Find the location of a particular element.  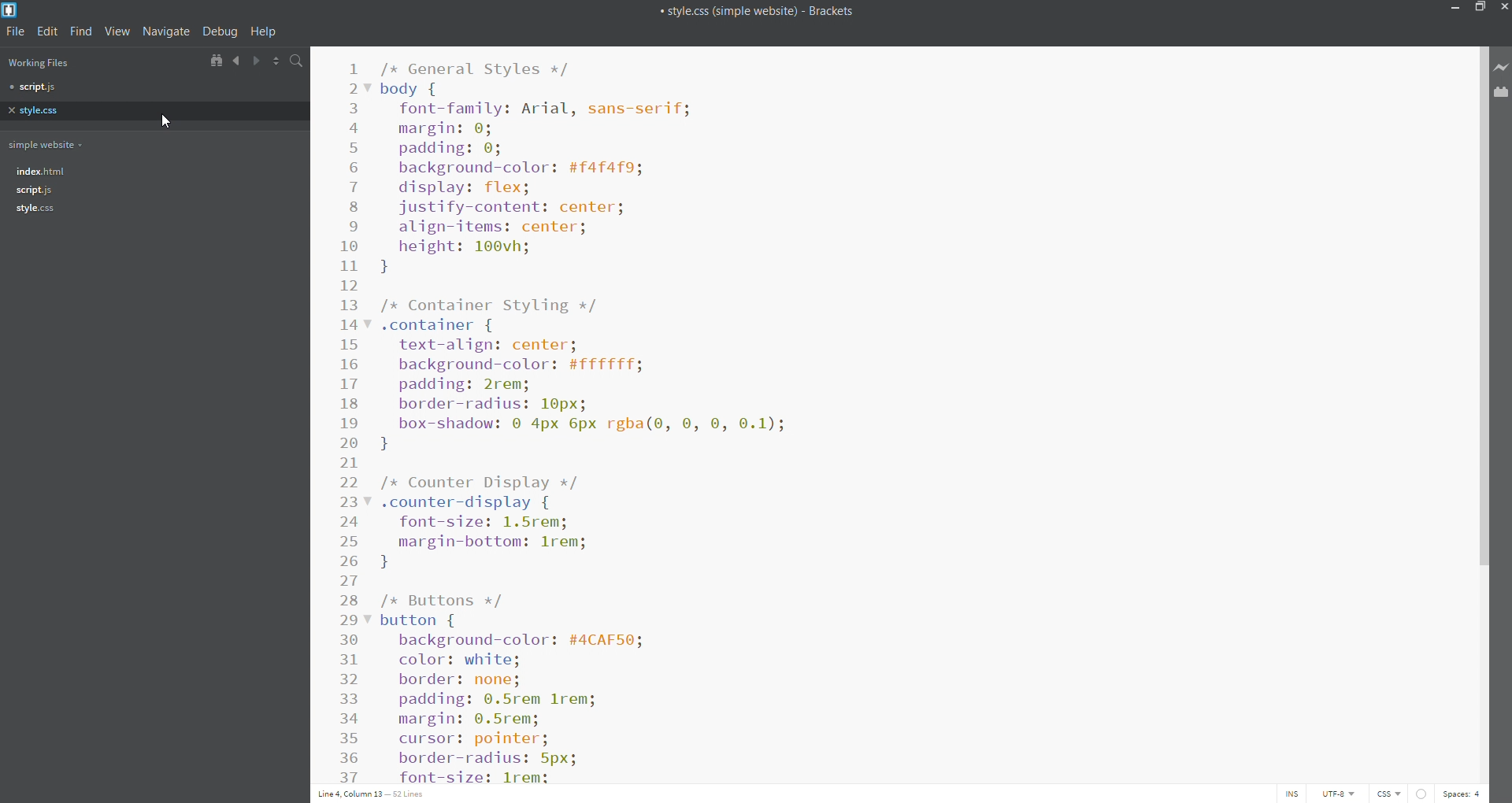

simple css styling is located at coordinates (922, 412).